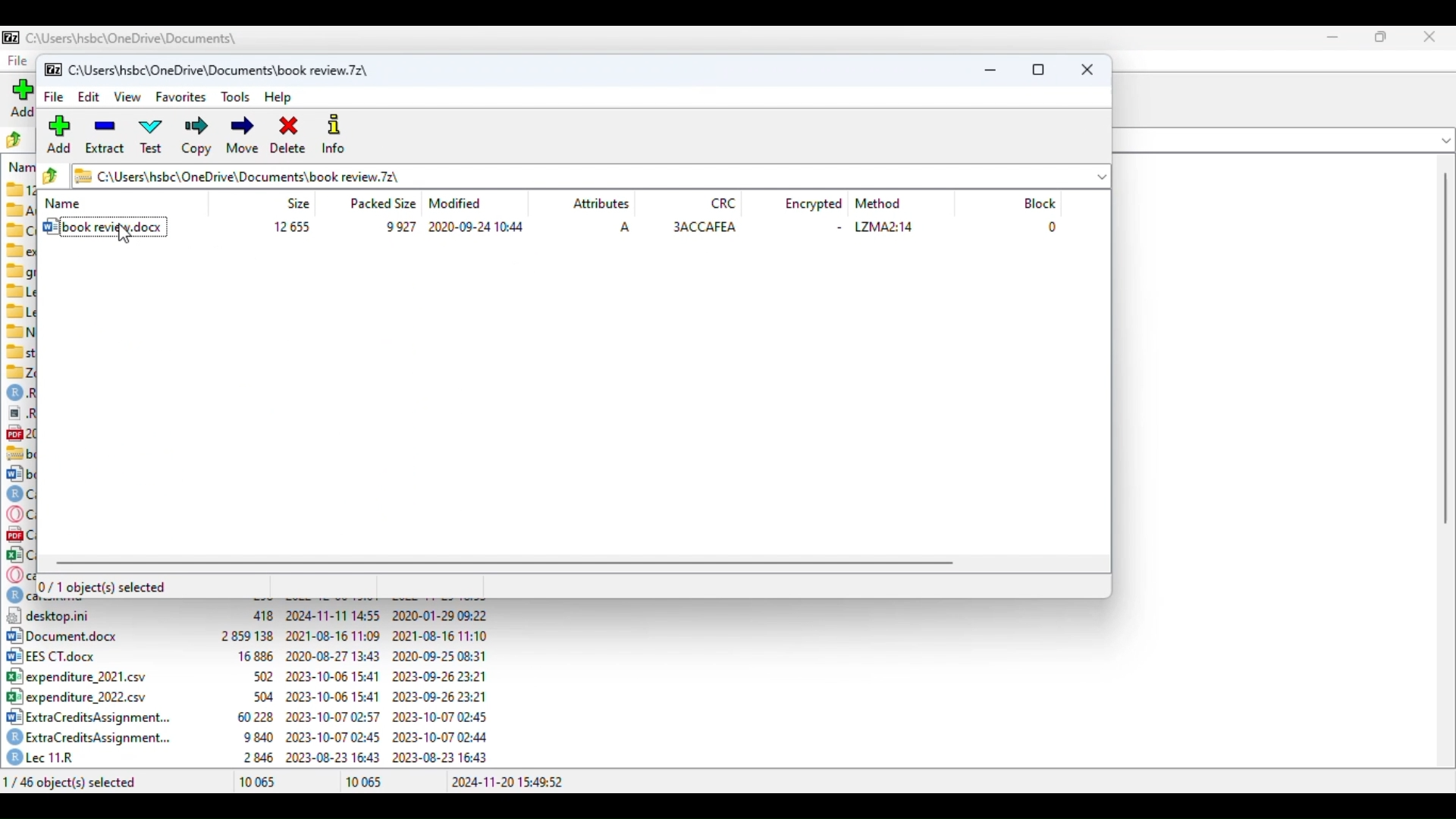 This screenshot has width=1456, height=819. I want to click on 10 065, so click(258, 782).